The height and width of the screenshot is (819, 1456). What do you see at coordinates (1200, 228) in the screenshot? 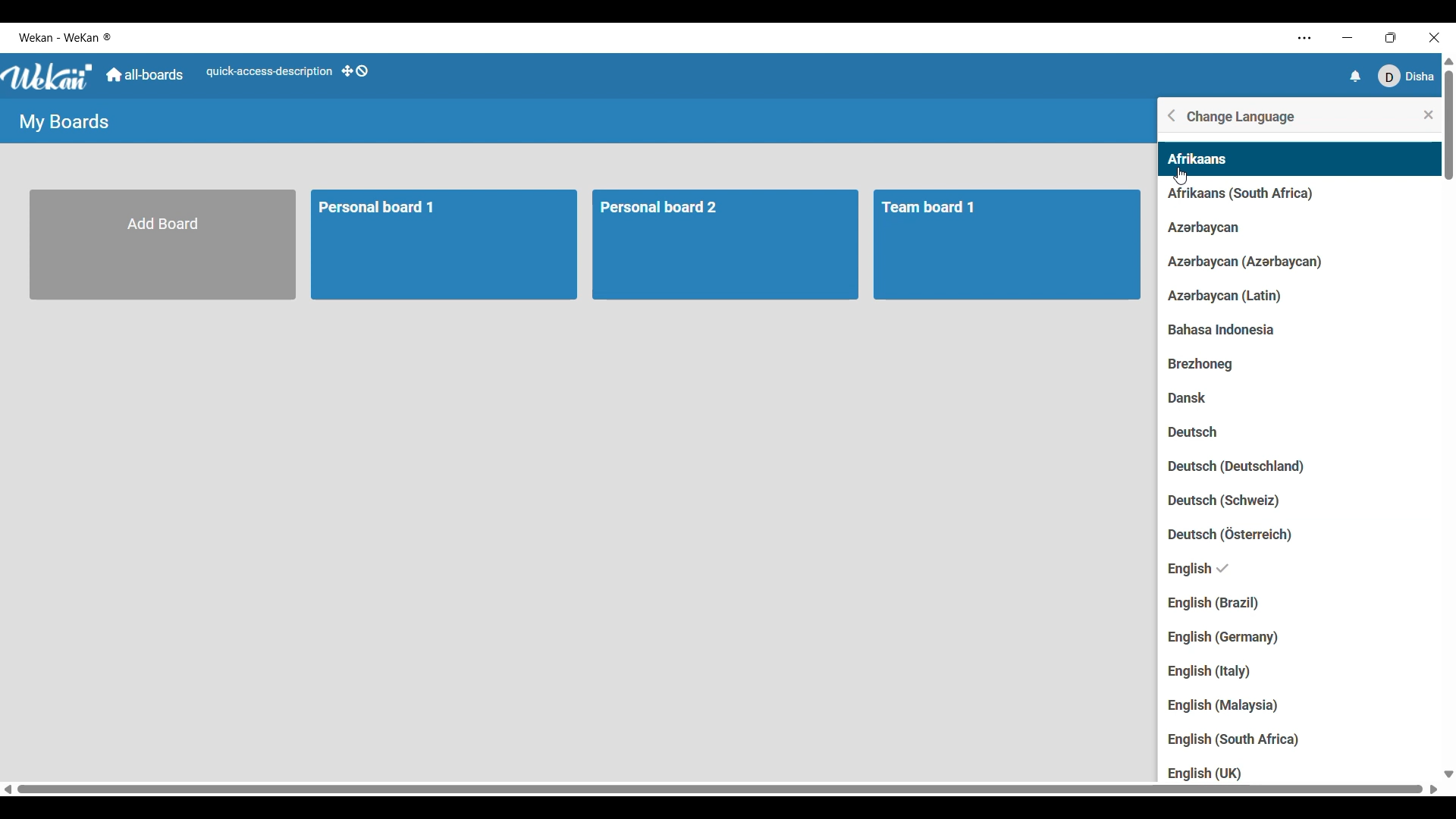
I see `Azarbaycan` at bounding box center [1200, 228].